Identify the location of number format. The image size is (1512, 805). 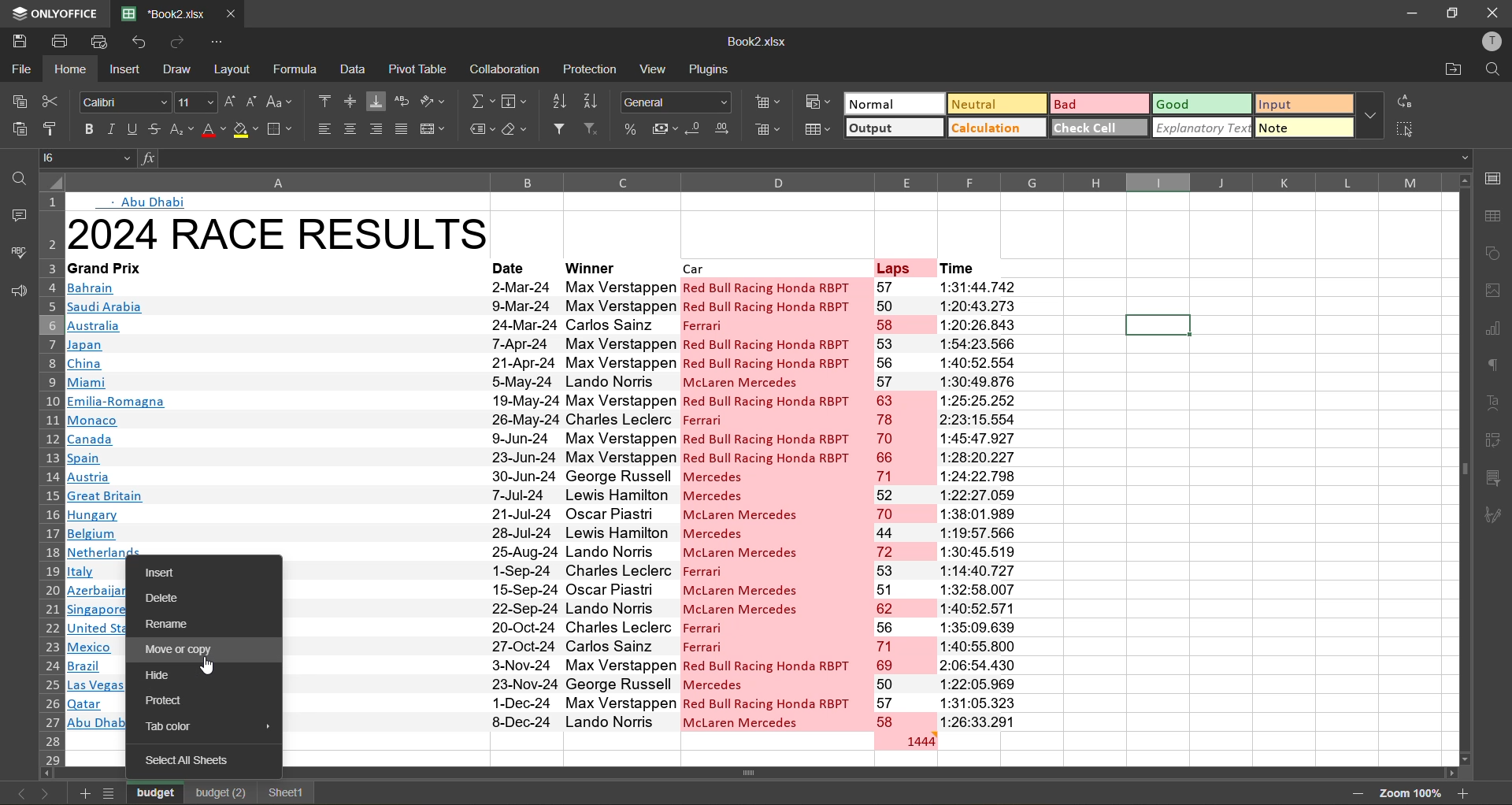
(679, 101).